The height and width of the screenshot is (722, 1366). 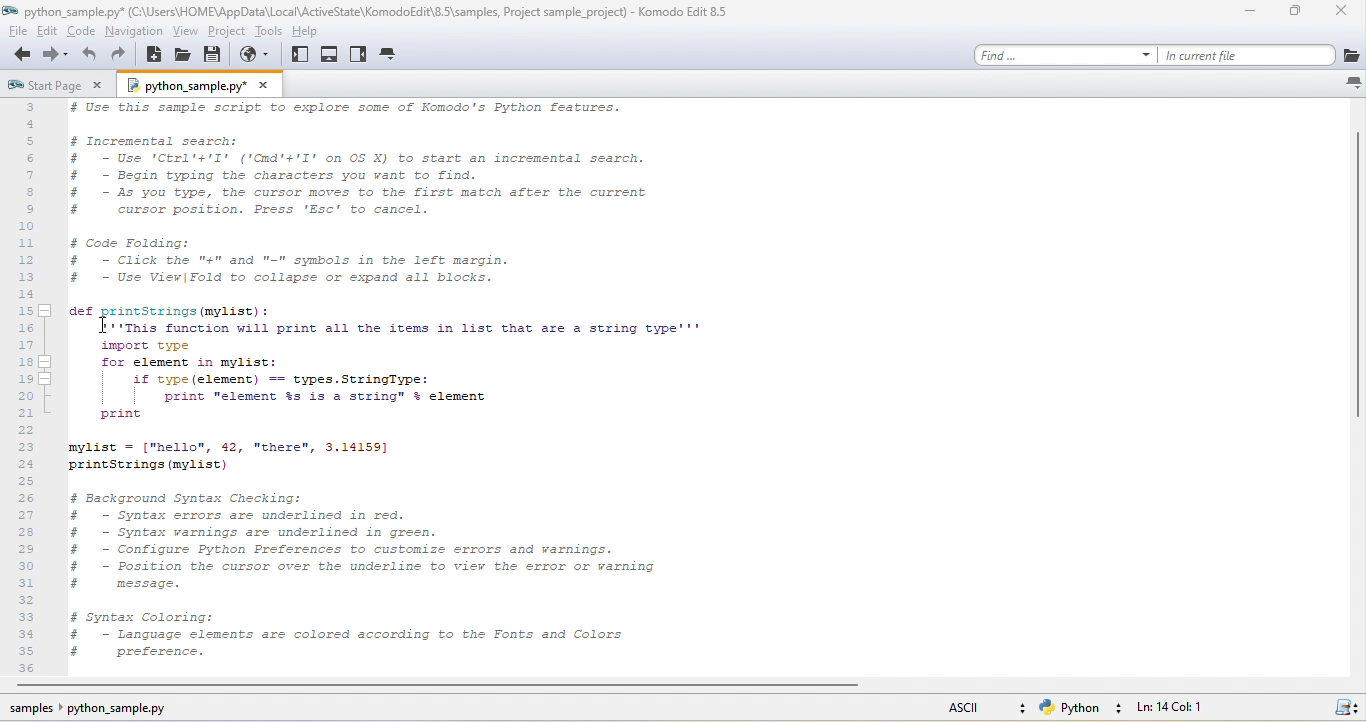 What do you see at coordinates (1065, 54) in the screenshot?
I see `find` at bounding box center [1065, 54].